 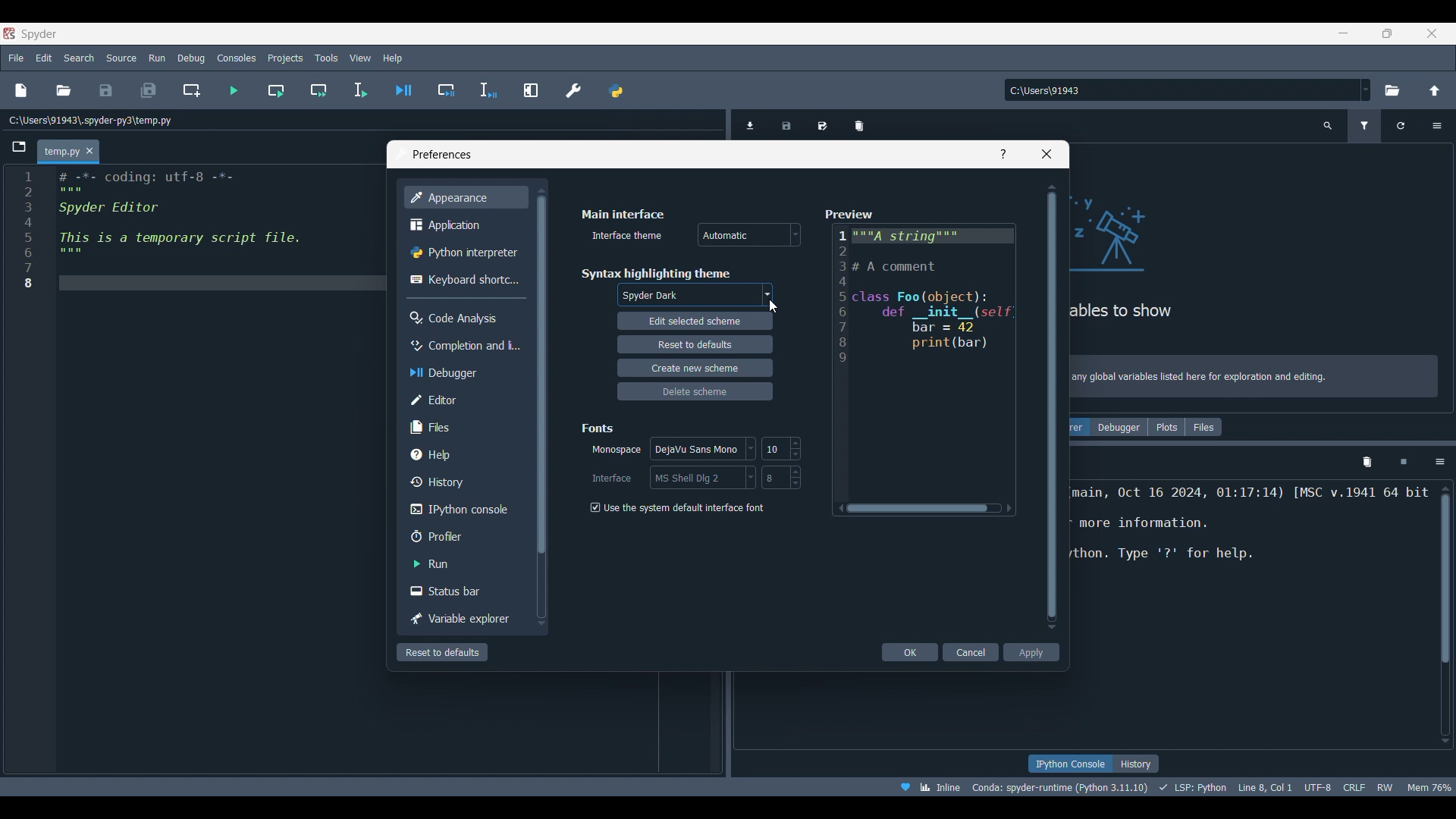 What do you see at coordinates (191, 58) in the screenshot?
I see `Debug menu` at bounding box center [191, 58].